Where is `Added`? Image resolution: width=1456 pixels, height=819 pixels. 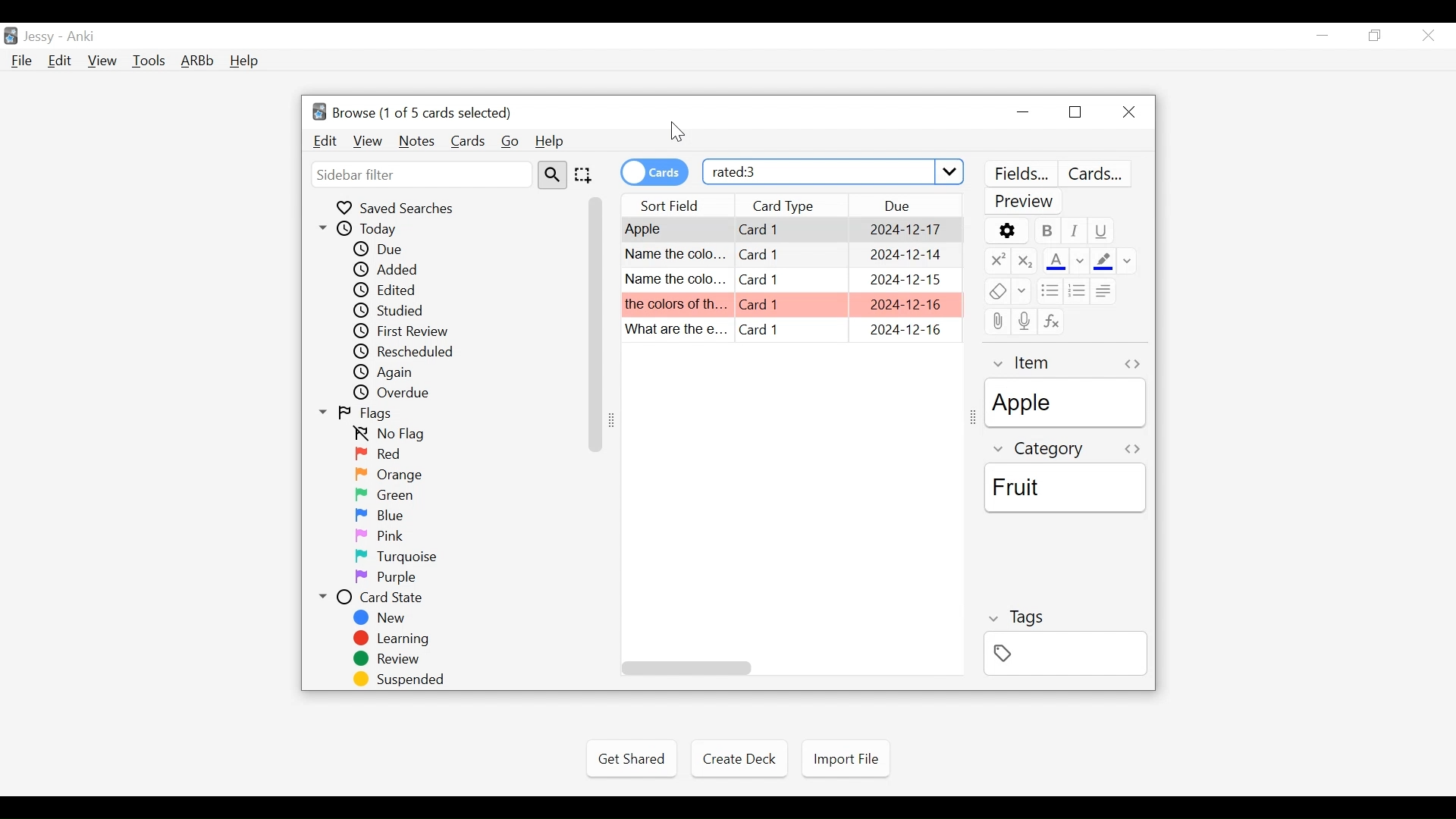
Added is located at coordinates (388, 269).